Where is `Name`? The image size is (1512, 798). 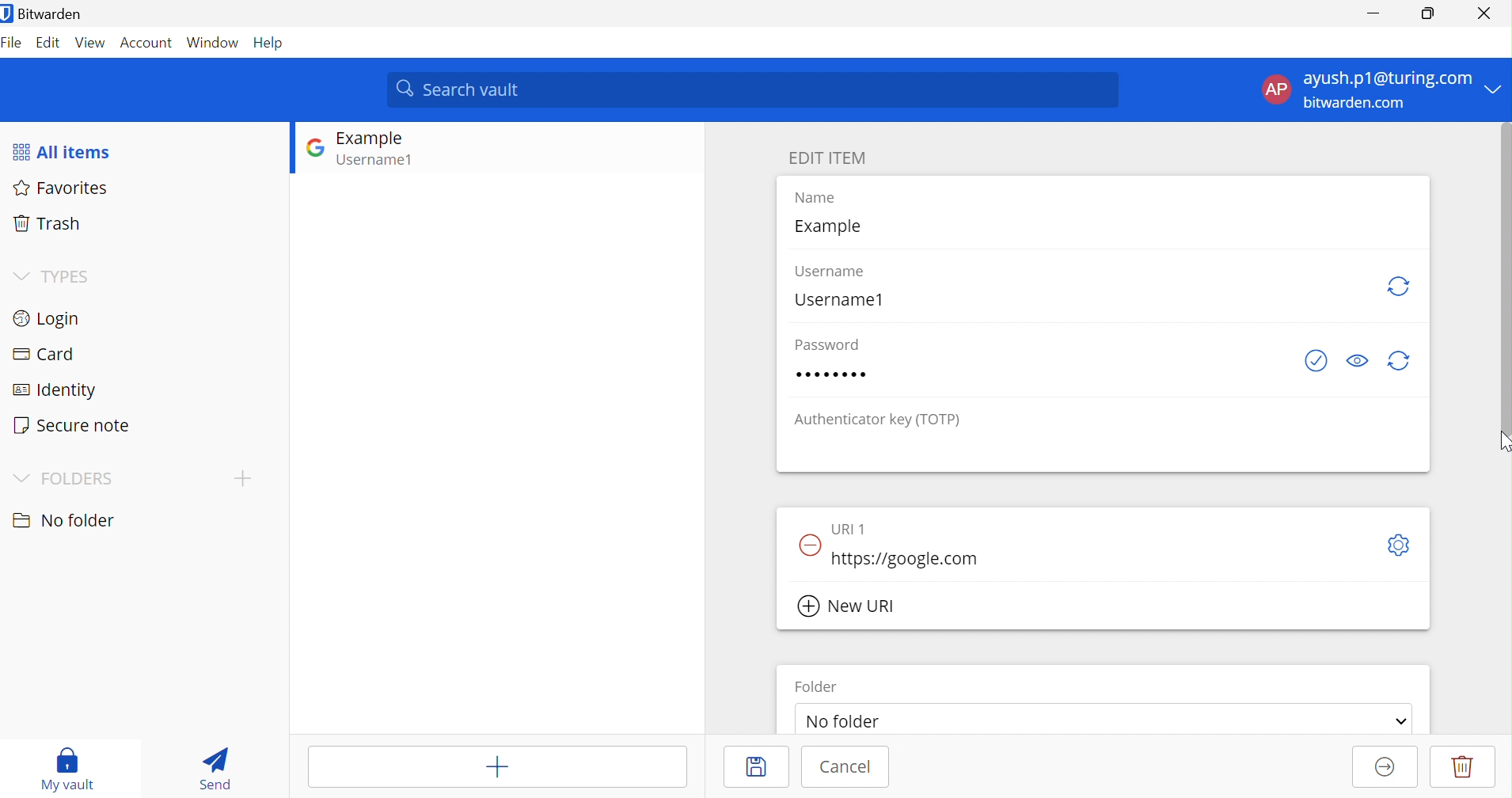 Name is located at coordinates (820, 197).